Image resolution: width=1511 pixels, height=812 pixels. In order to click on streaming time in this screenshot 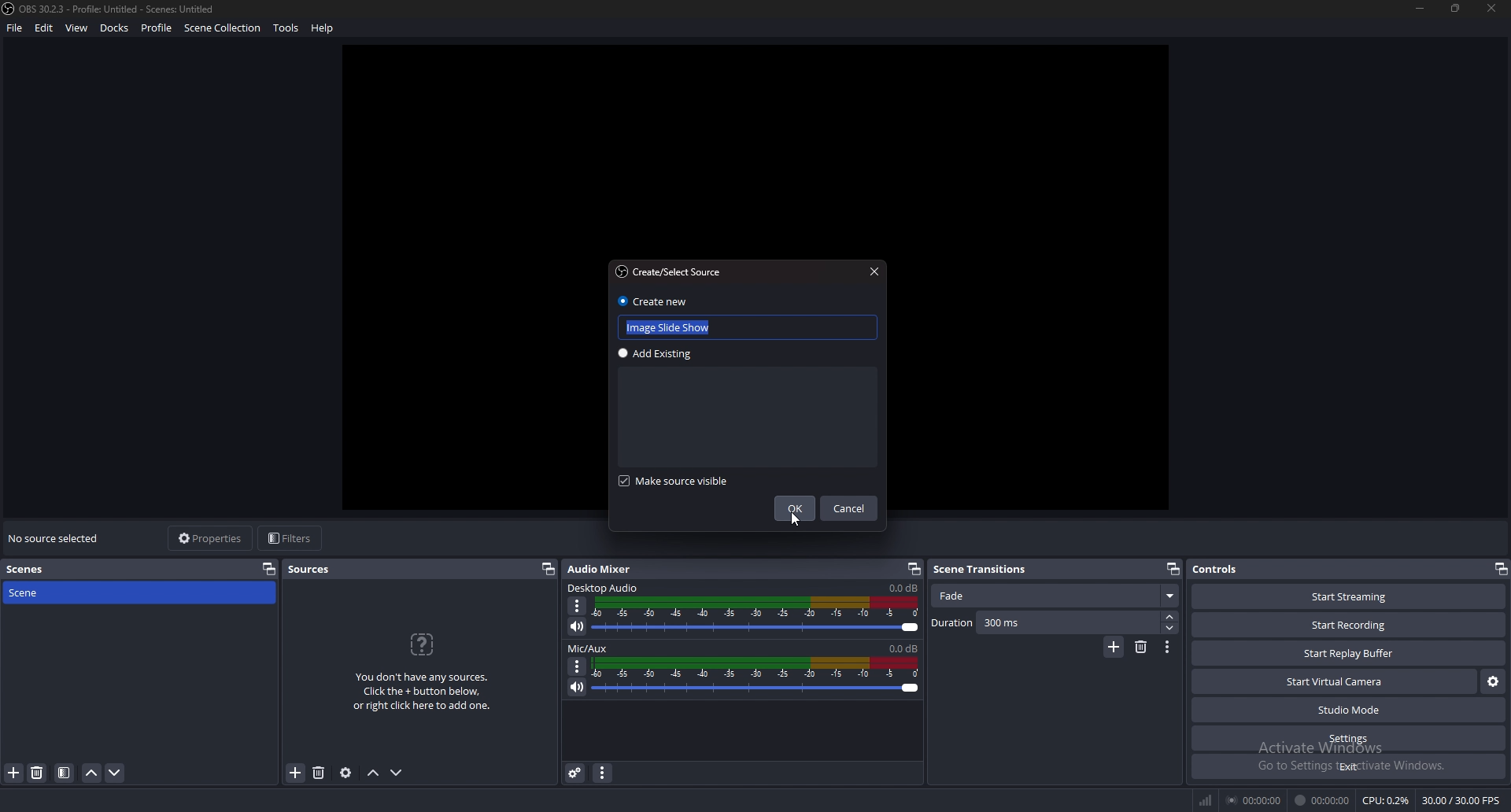, I will do `click(1254, 800)`.